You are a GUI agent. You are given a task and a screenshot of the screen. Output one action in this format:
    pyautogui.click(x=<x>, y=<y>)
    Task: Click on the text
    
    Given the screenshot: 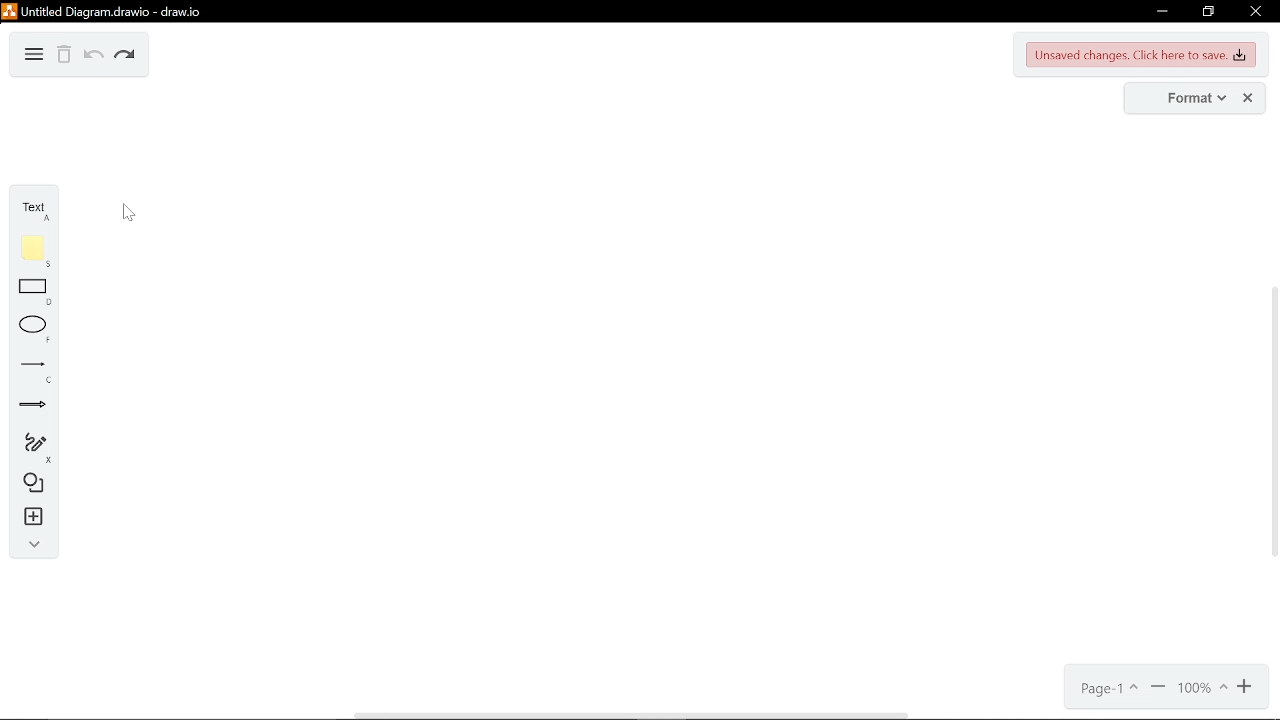 What is the action you would take?
    pyautogui.click(x=37, y=212)
    